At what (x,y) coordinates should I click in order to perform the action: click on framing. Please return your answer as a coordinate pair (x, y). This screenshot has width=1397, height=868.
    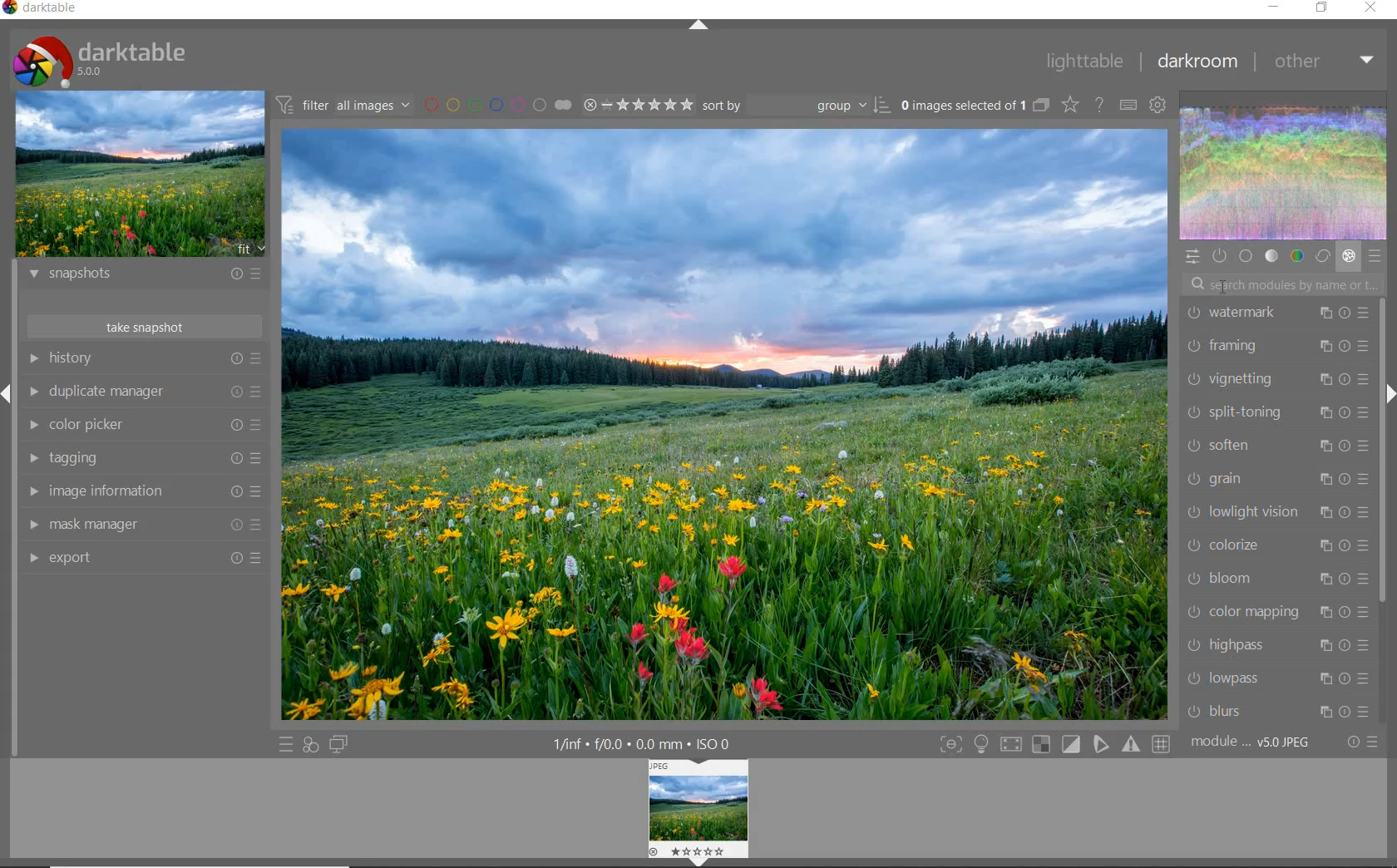
    Looking at the image, I should click on (1275, 346).